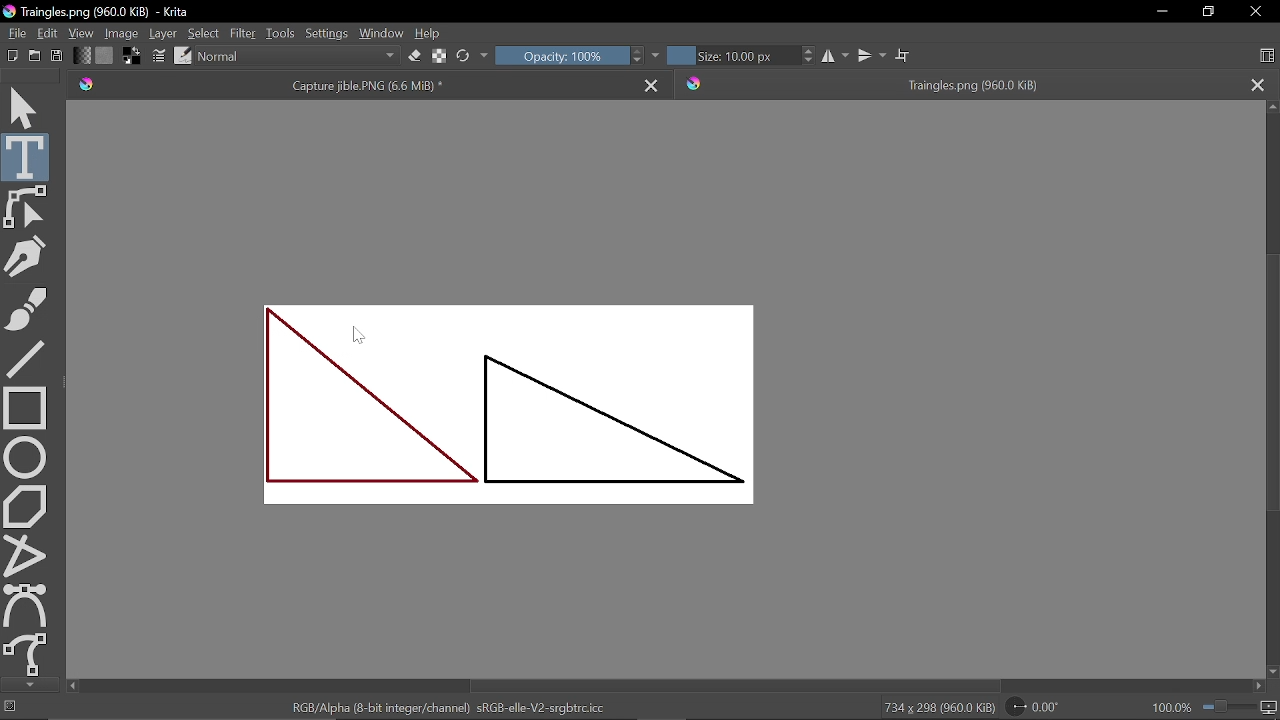 This screenshot has height=720, width=1280. What do you see at coordinates (160, 57) in the screenshot?
I see `Edit brush settings ` at bounding box center [160, 57].